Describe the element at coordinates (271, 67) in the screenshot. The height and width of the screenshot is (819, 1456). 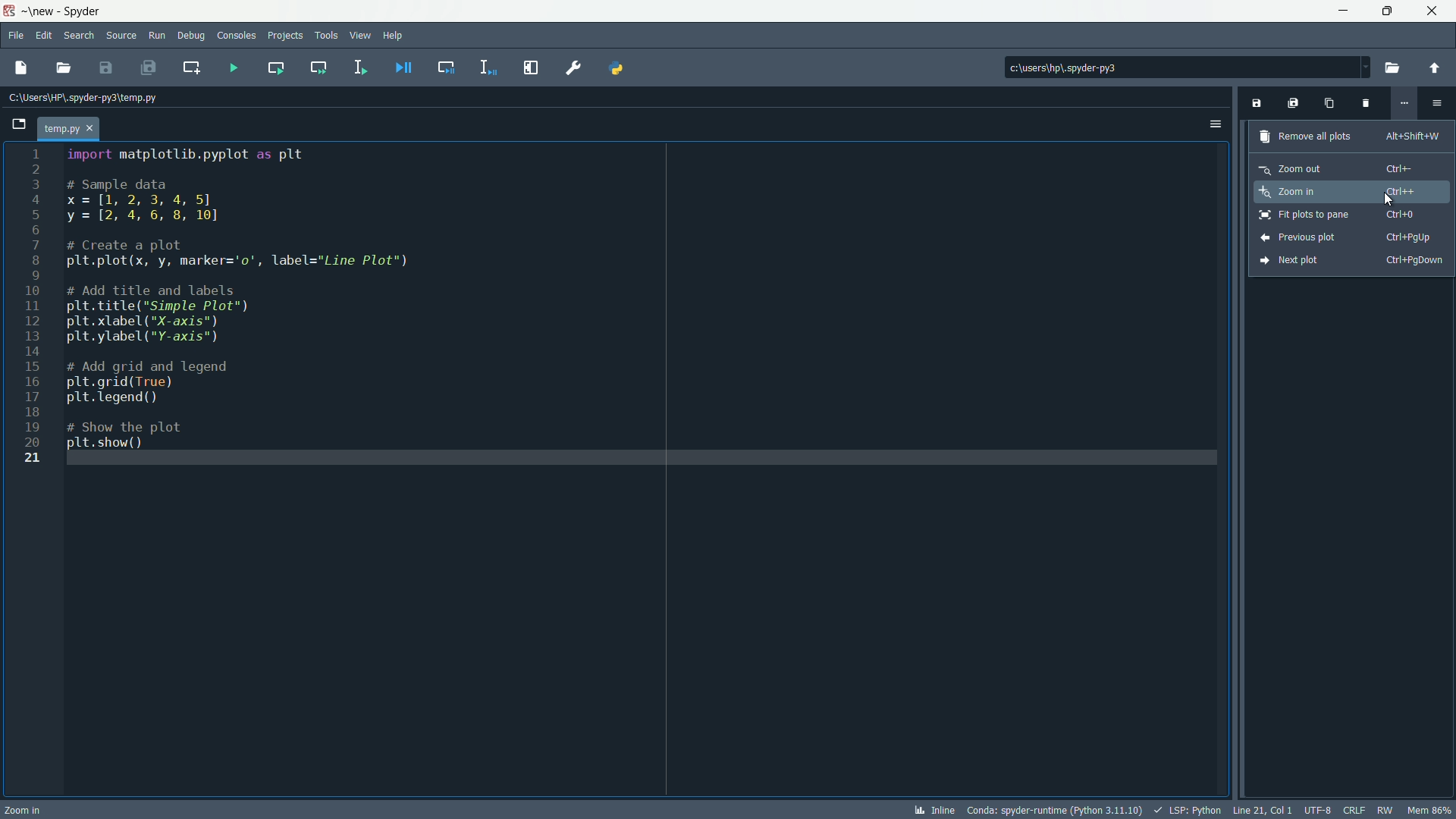
I see `run current cell` at that location.